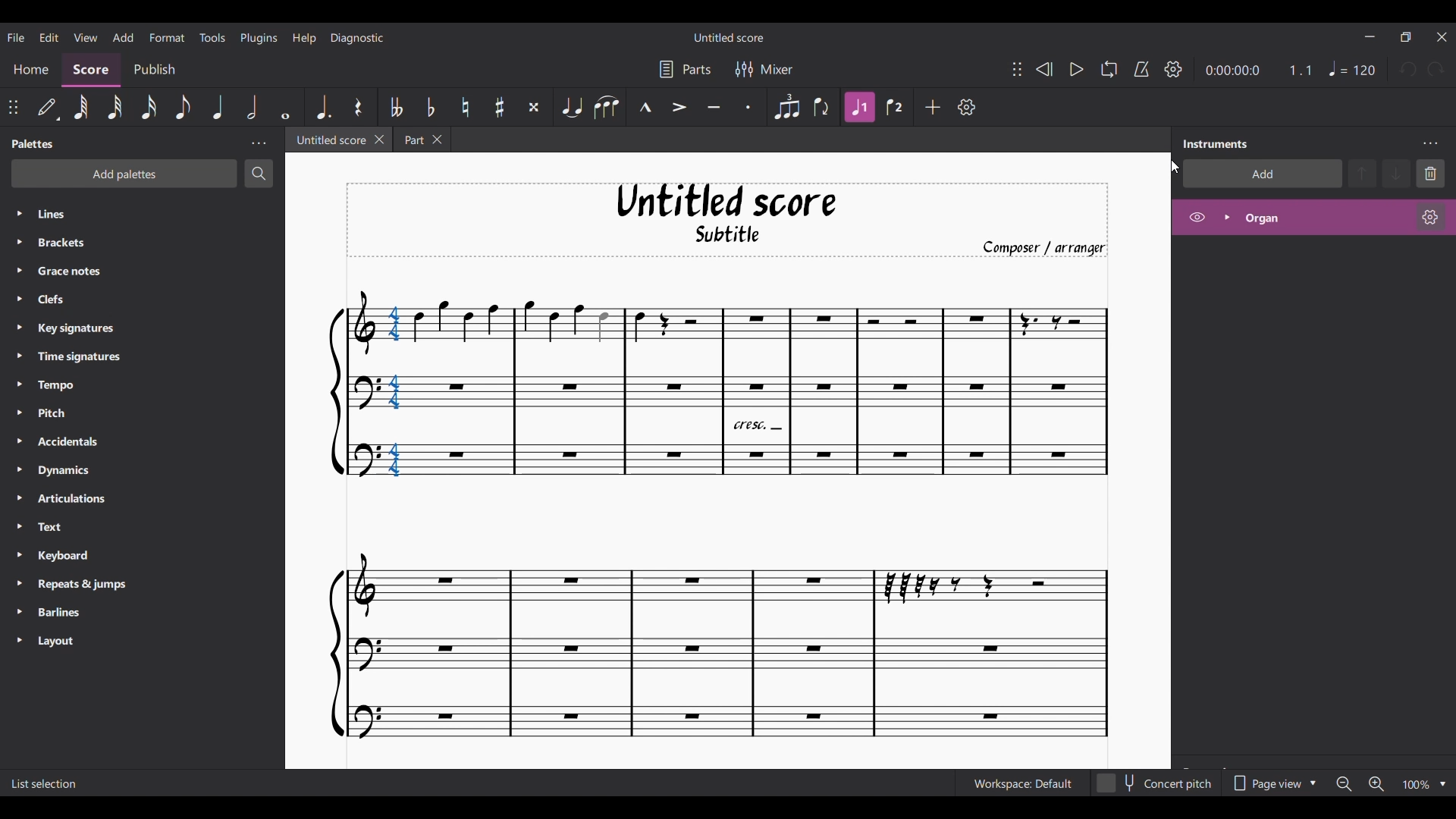 Image resolution: width=1456 pixels, height=819 pixels. Describe the element at coordinates (466, 107) in the screenshot. I see `Toggle natural` at that location.